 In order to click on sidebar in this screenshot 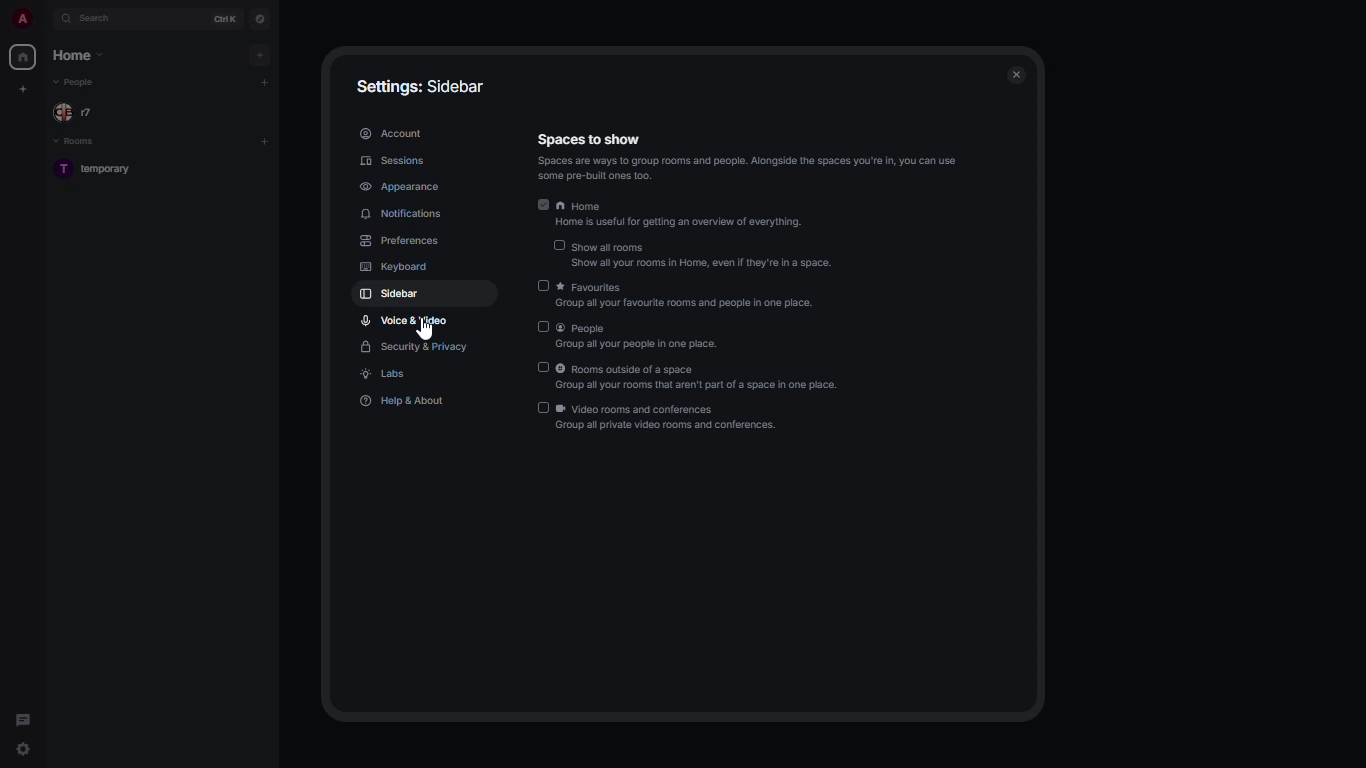, I will do `click(392, 293)`.